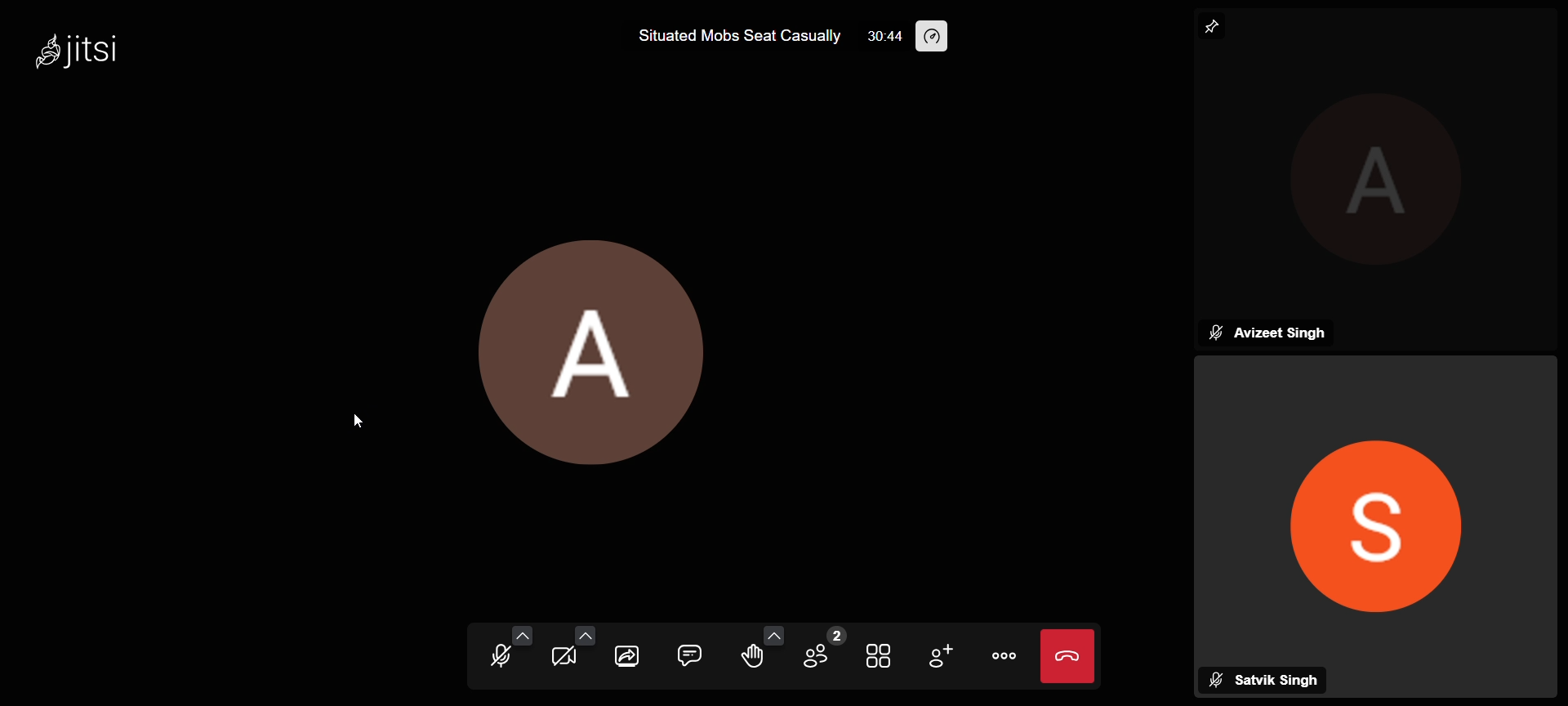  I want to click on start video, so click(563, 658).